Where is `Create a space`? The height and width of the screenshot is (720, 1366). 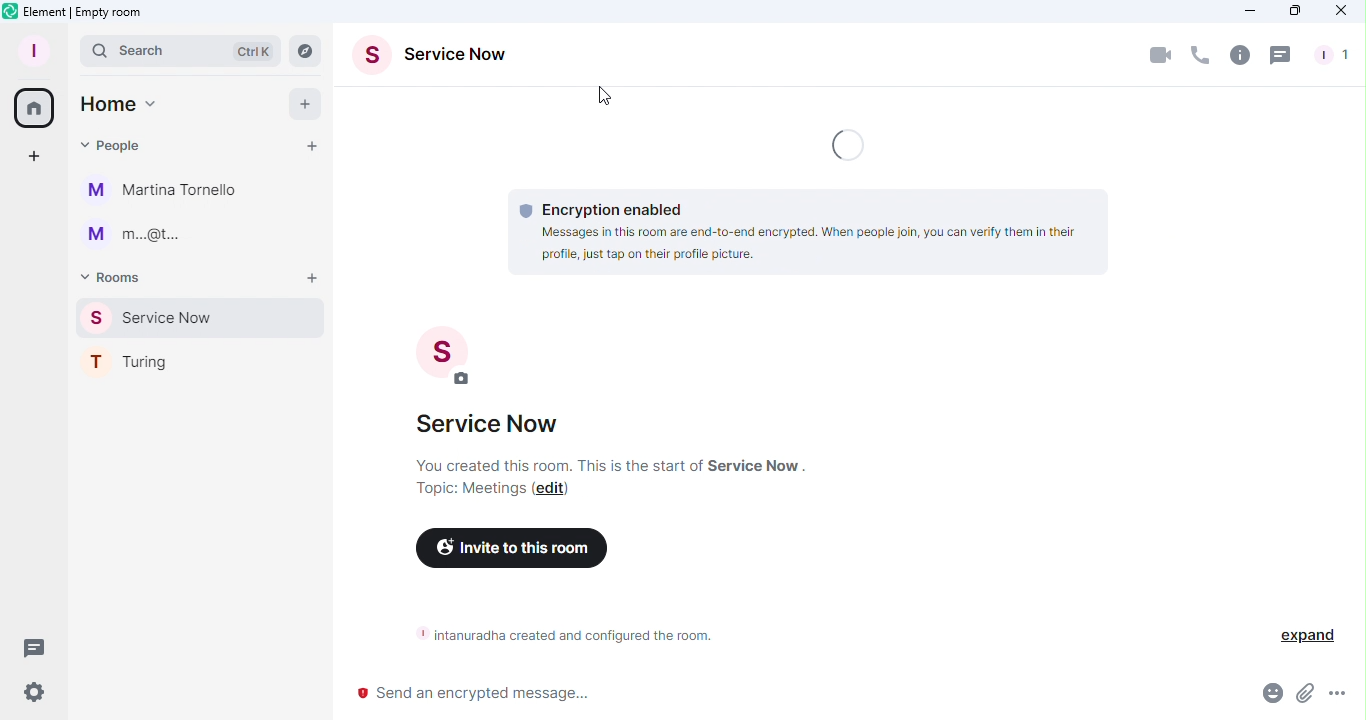
Create a space is located at coordinates (35, 157).